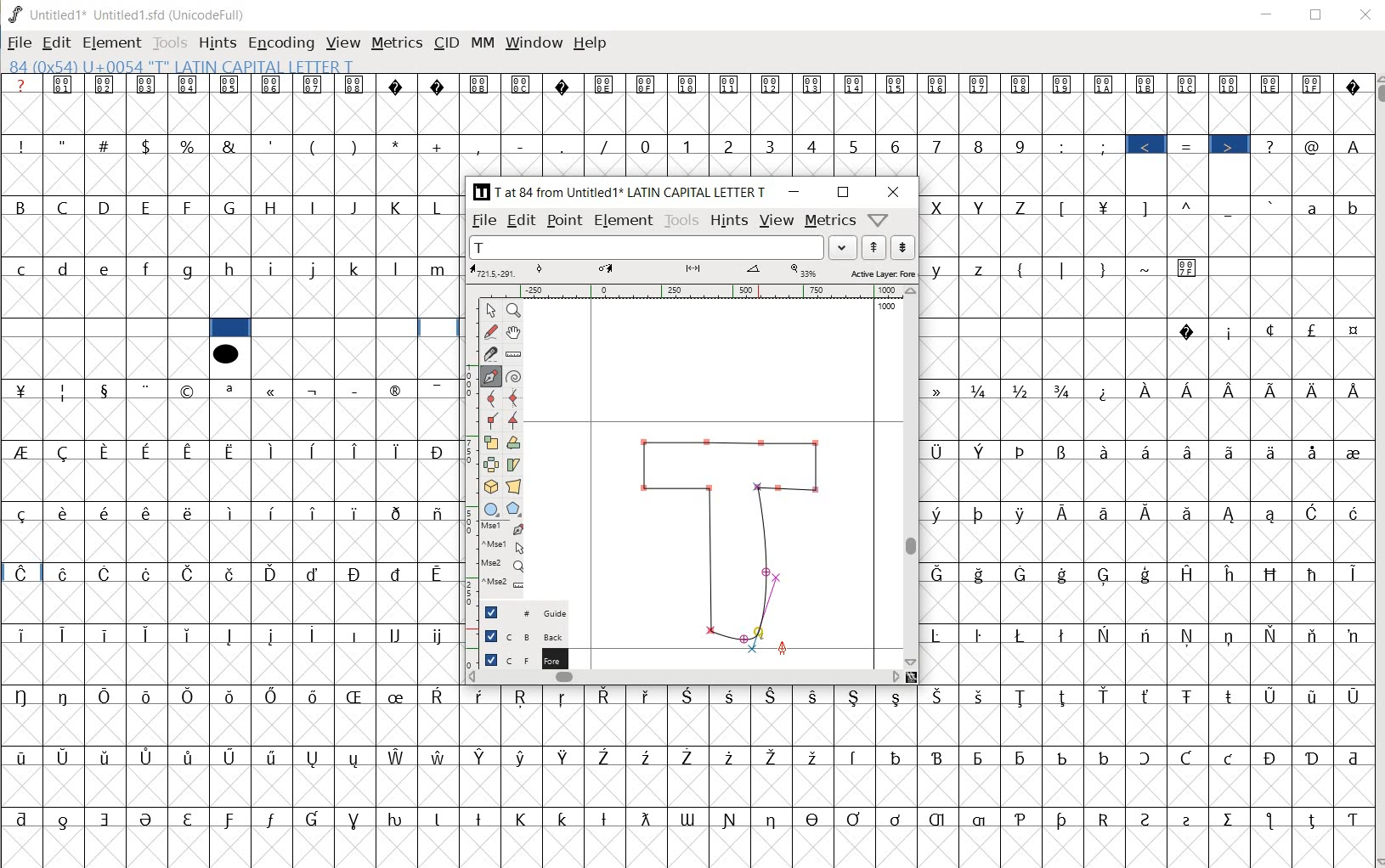 This screenshot has height=868, width=1385. I want to click on edit, so click(56, 42).